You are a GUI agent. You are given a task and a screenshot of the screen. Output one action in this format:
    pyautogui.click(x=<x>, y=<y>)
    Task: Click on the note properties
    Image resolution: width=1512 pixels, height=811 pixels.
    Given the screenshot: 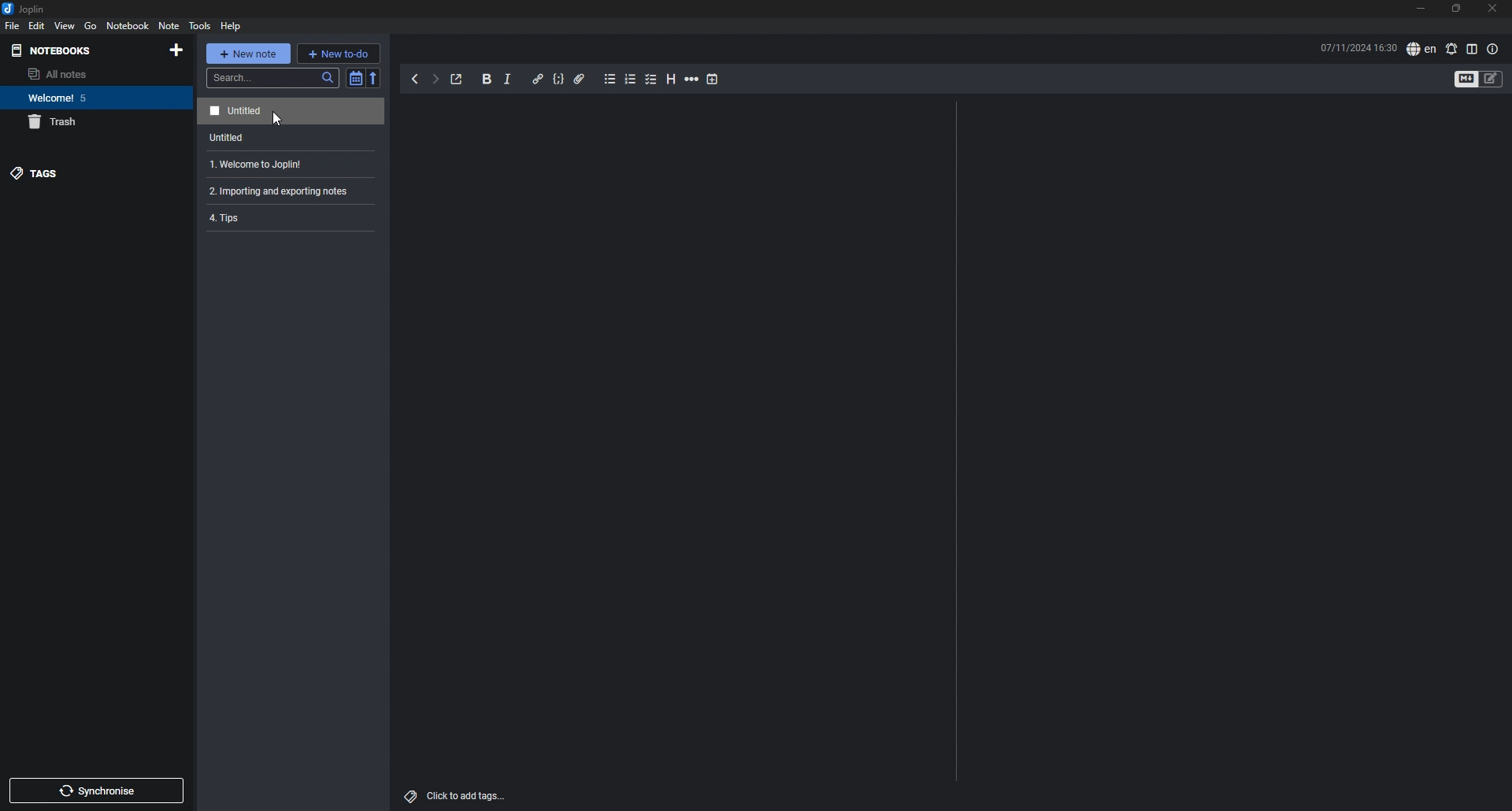 What is the action you would take?
    pyautogui.click(x=1492, y=49)
    